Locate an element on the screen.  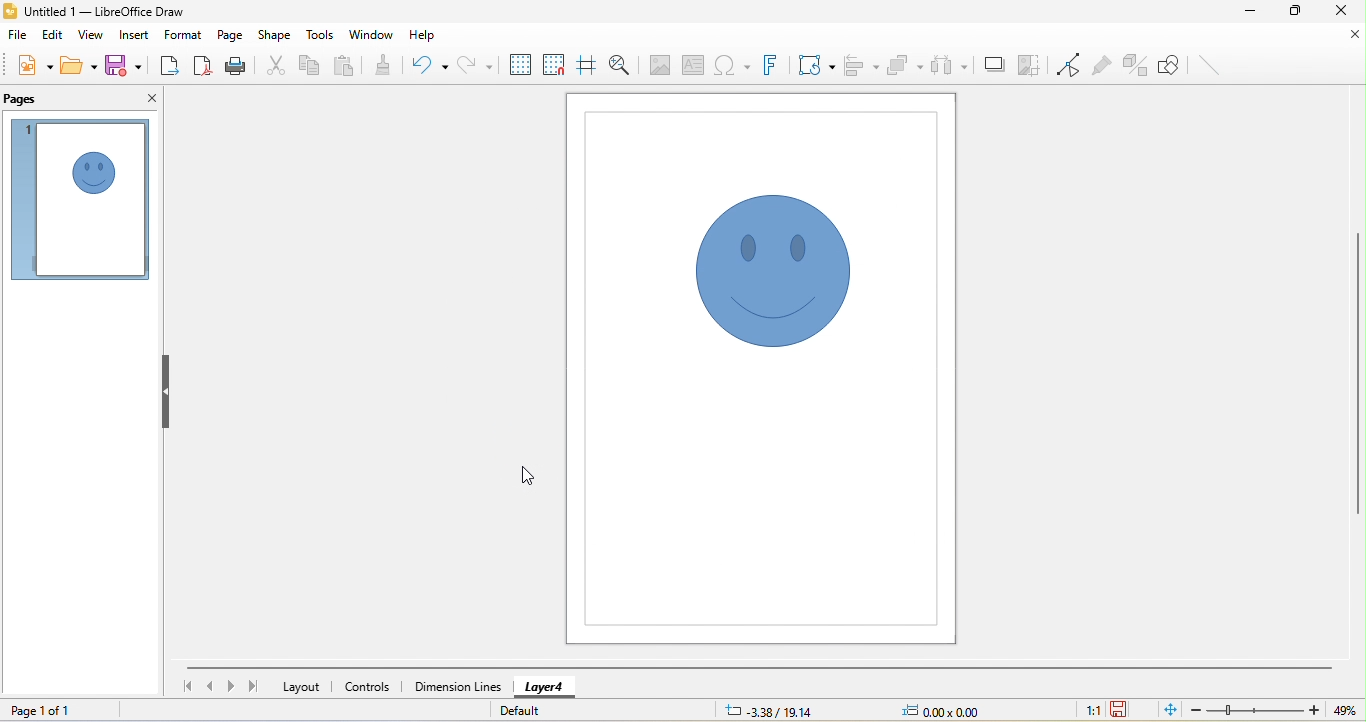
show draw function is located at coordinates (1167, 65).